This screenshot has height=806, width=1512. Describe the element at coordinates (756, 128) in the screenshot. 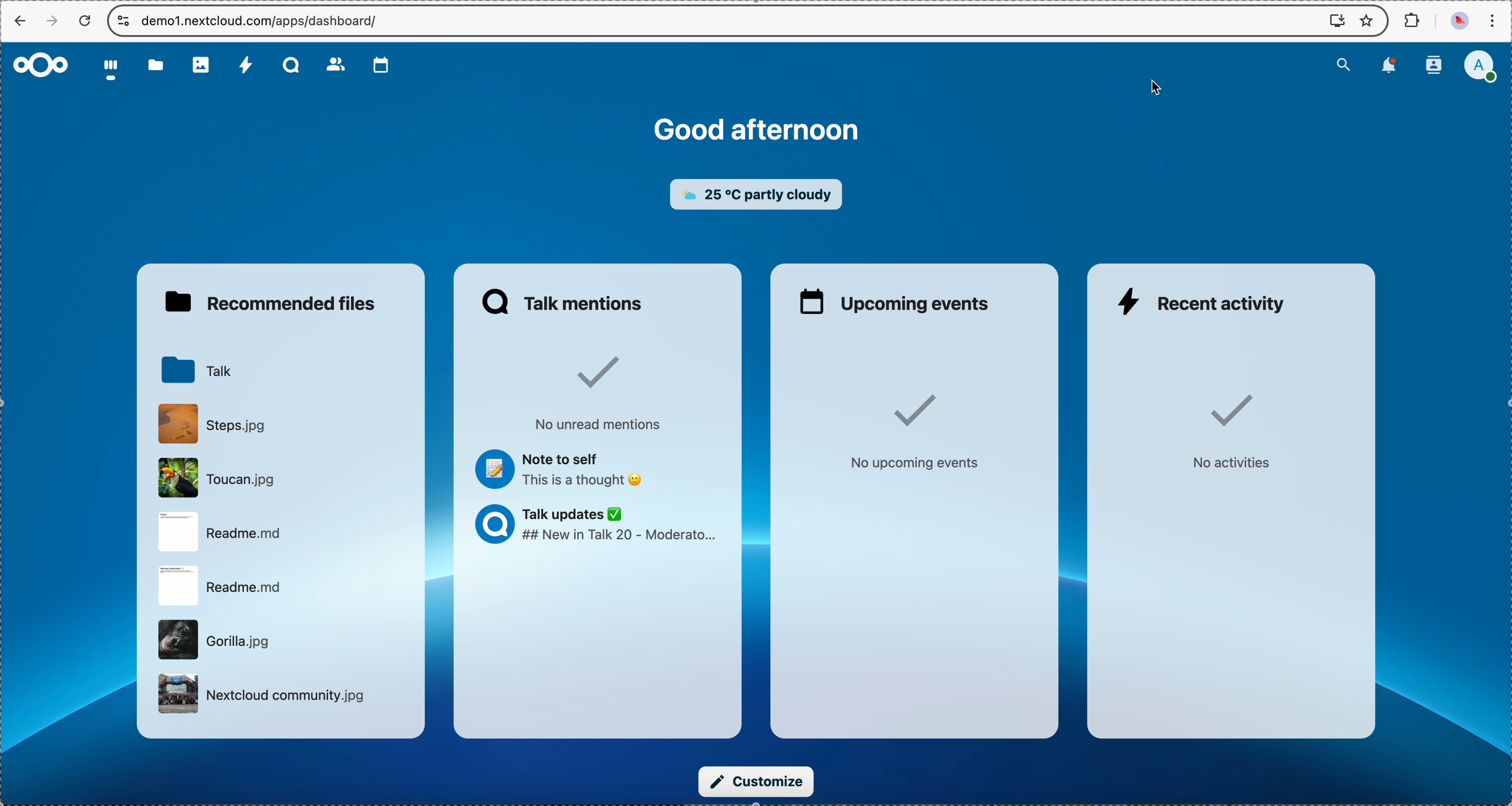

I see `good afternoon` at that location.